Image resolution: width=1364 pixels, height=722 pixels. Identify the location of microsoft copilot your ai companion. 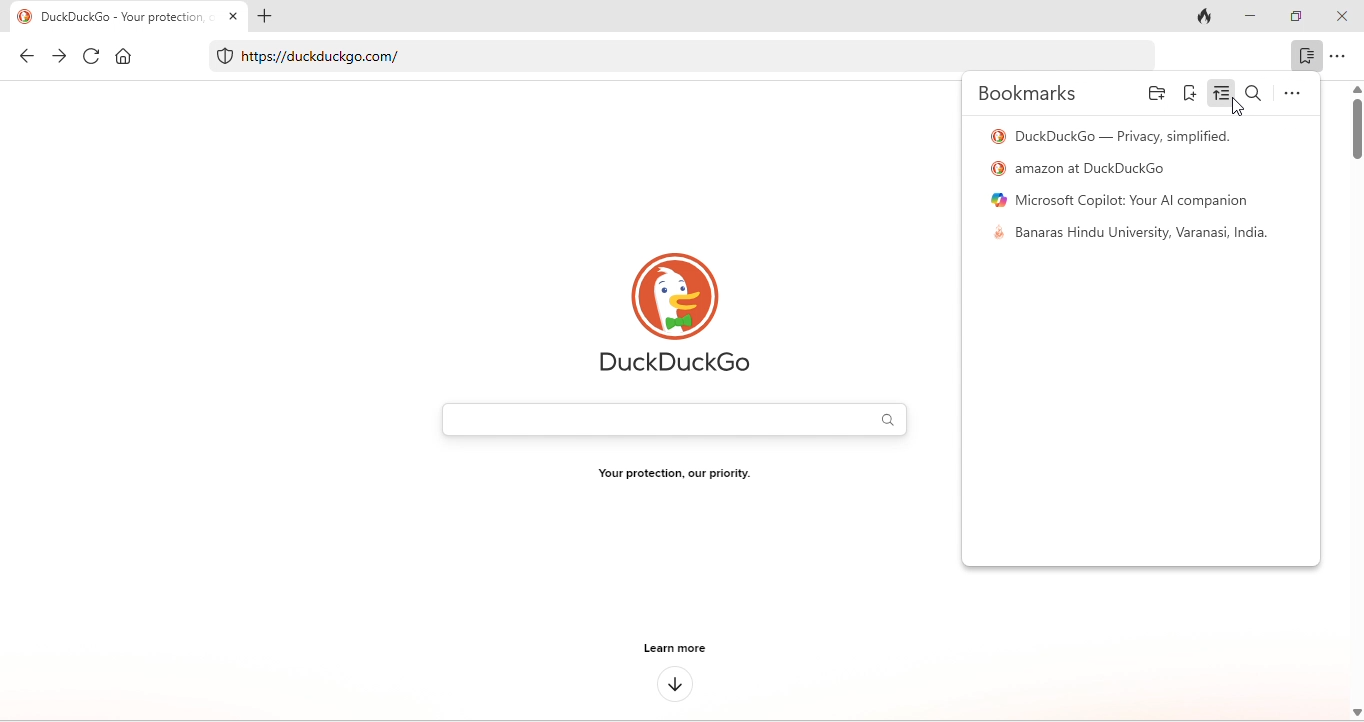
(1116, 197).